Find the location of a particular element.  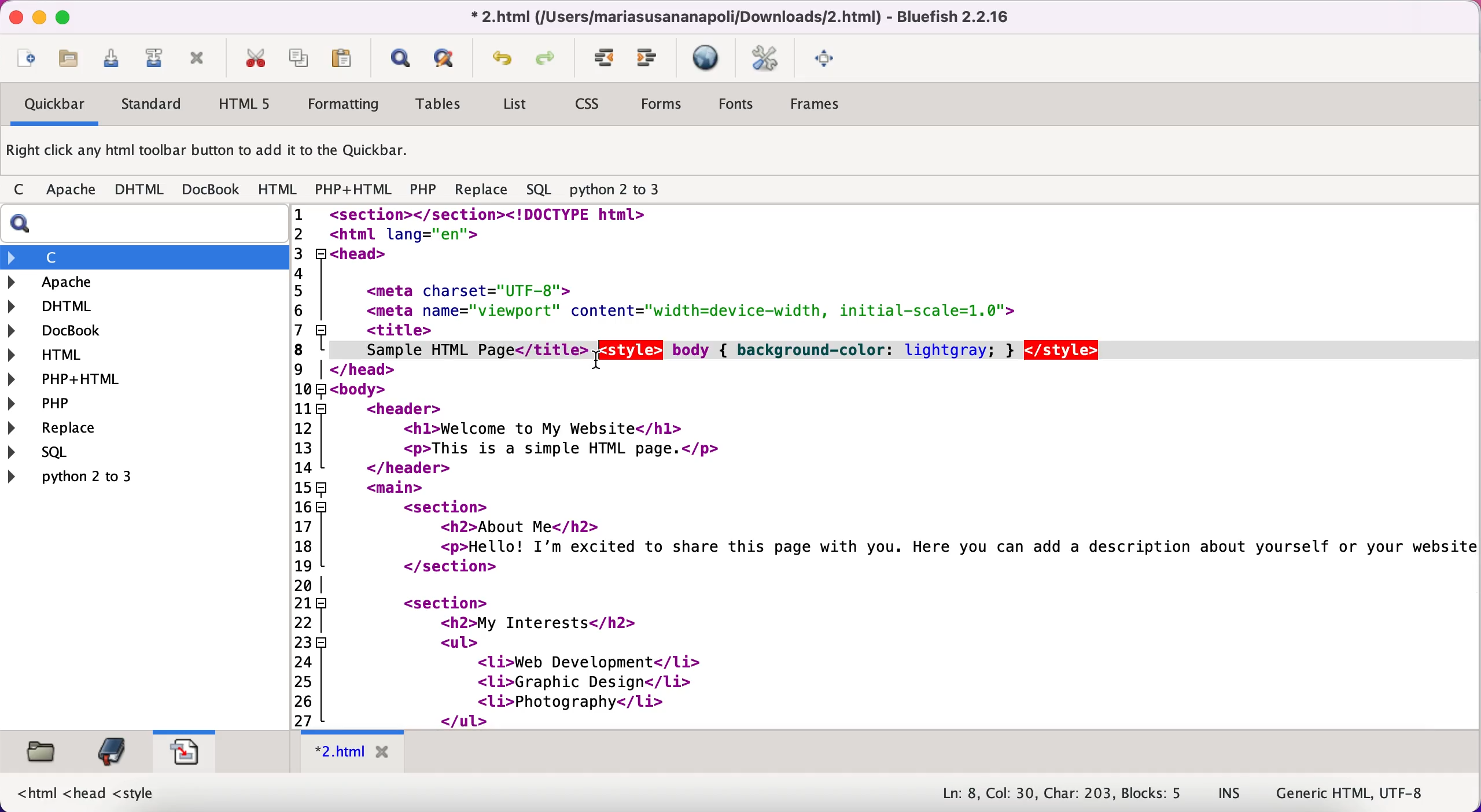

python 2 to 3 is located at coordinates (625, 190).